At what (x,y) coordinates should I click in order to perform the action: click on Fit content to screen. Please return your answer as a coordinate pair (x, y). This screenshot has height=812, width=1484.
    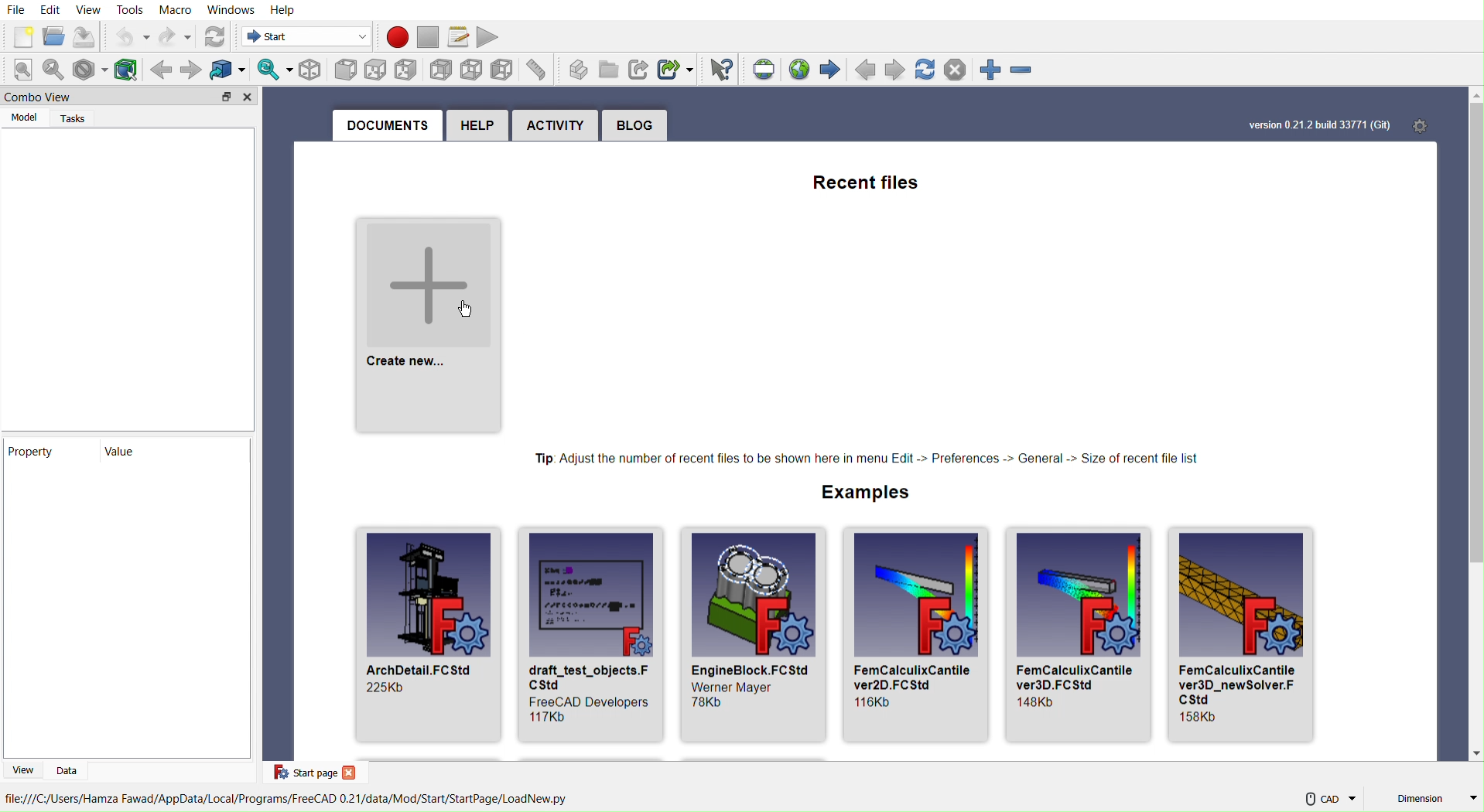
    Looking at the image, I should click on (25, 71).